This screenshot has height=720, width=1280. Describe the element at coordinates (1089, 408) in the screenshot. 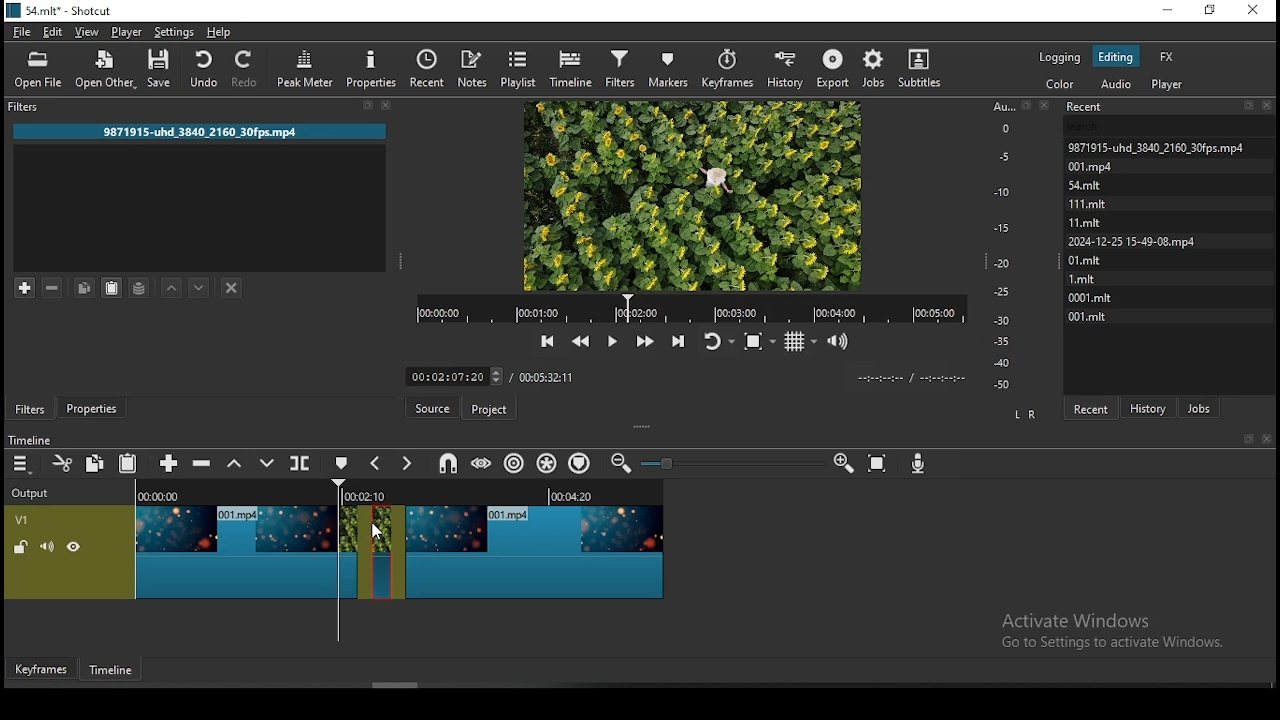

I see `recent` at that location.